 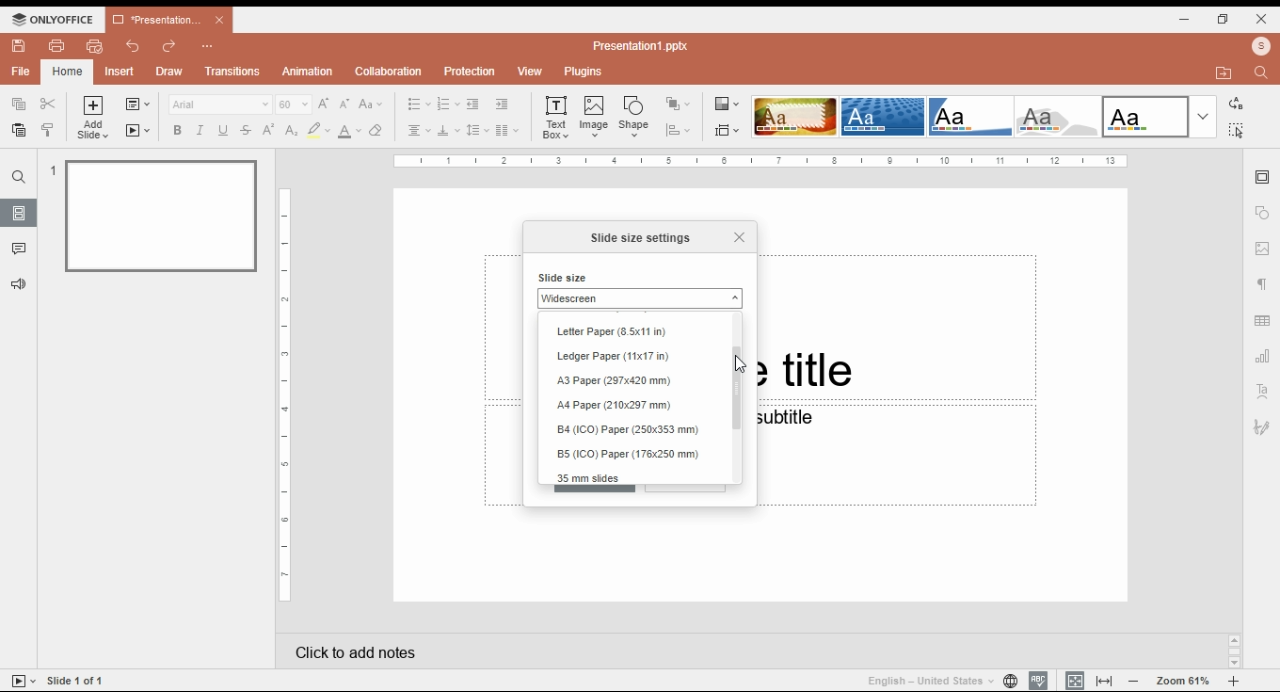 What do you see at coordinates (741, 395) in the screenshot?
I see `scroll bar` at bounding box center [741, 395].